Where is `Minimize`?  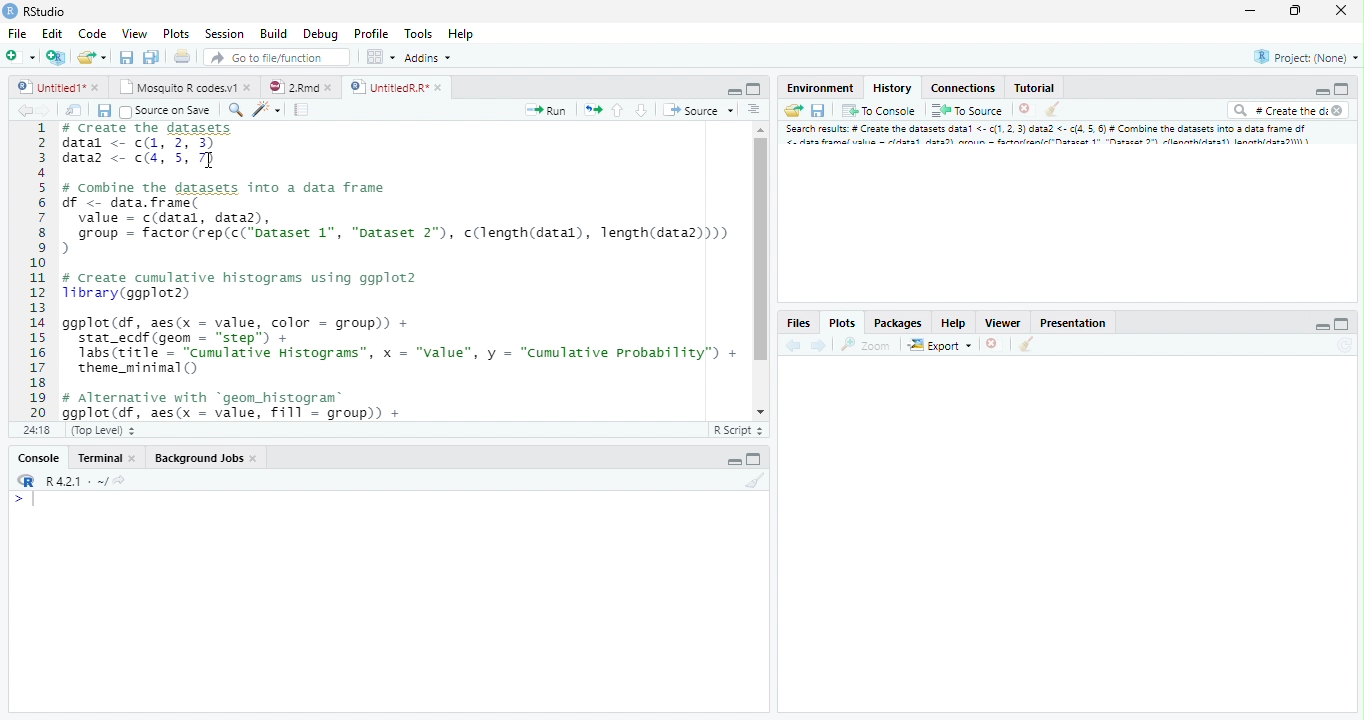
Minimize is located at coordinates (1319, 325).